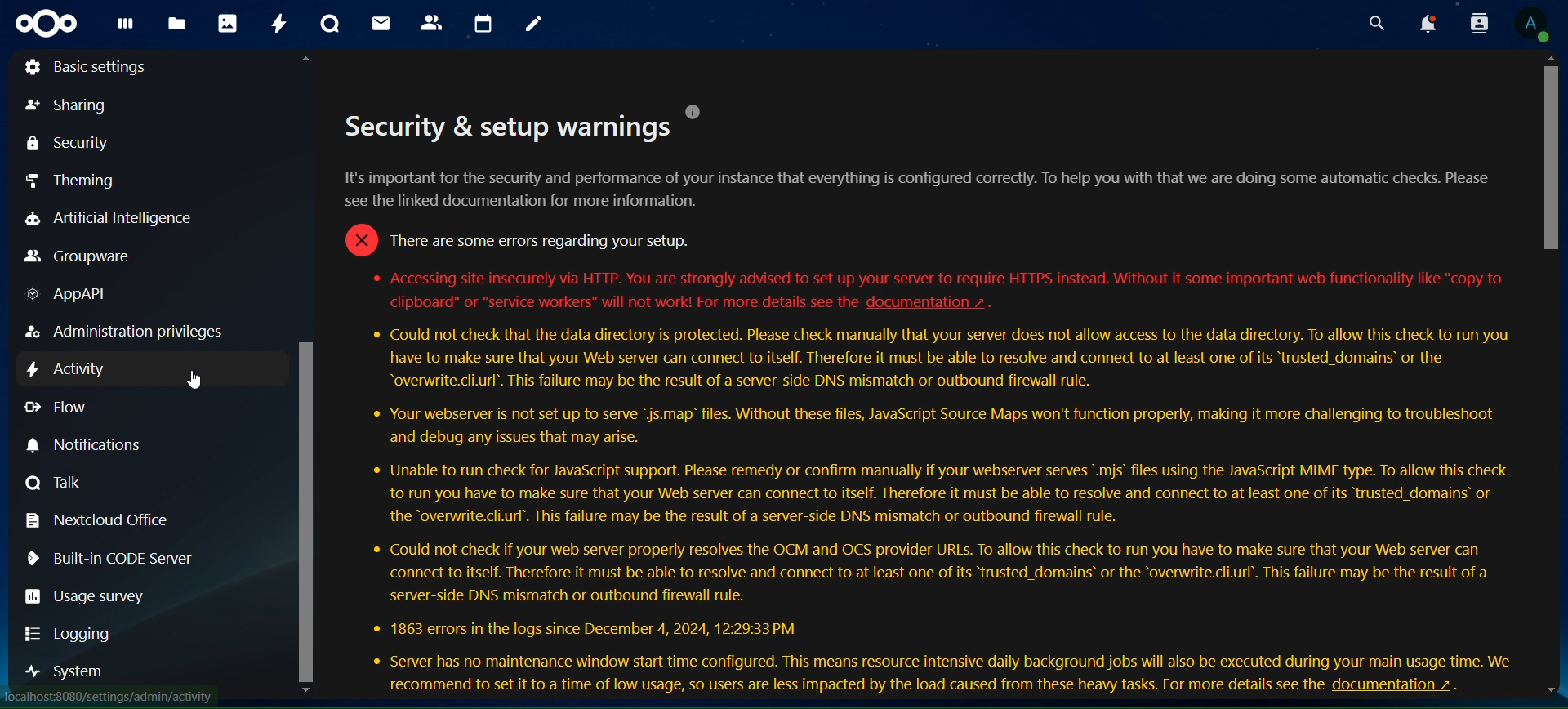 The width and height of the screenshot is (1568, 709). I want to click on photos, so click(226, 25).